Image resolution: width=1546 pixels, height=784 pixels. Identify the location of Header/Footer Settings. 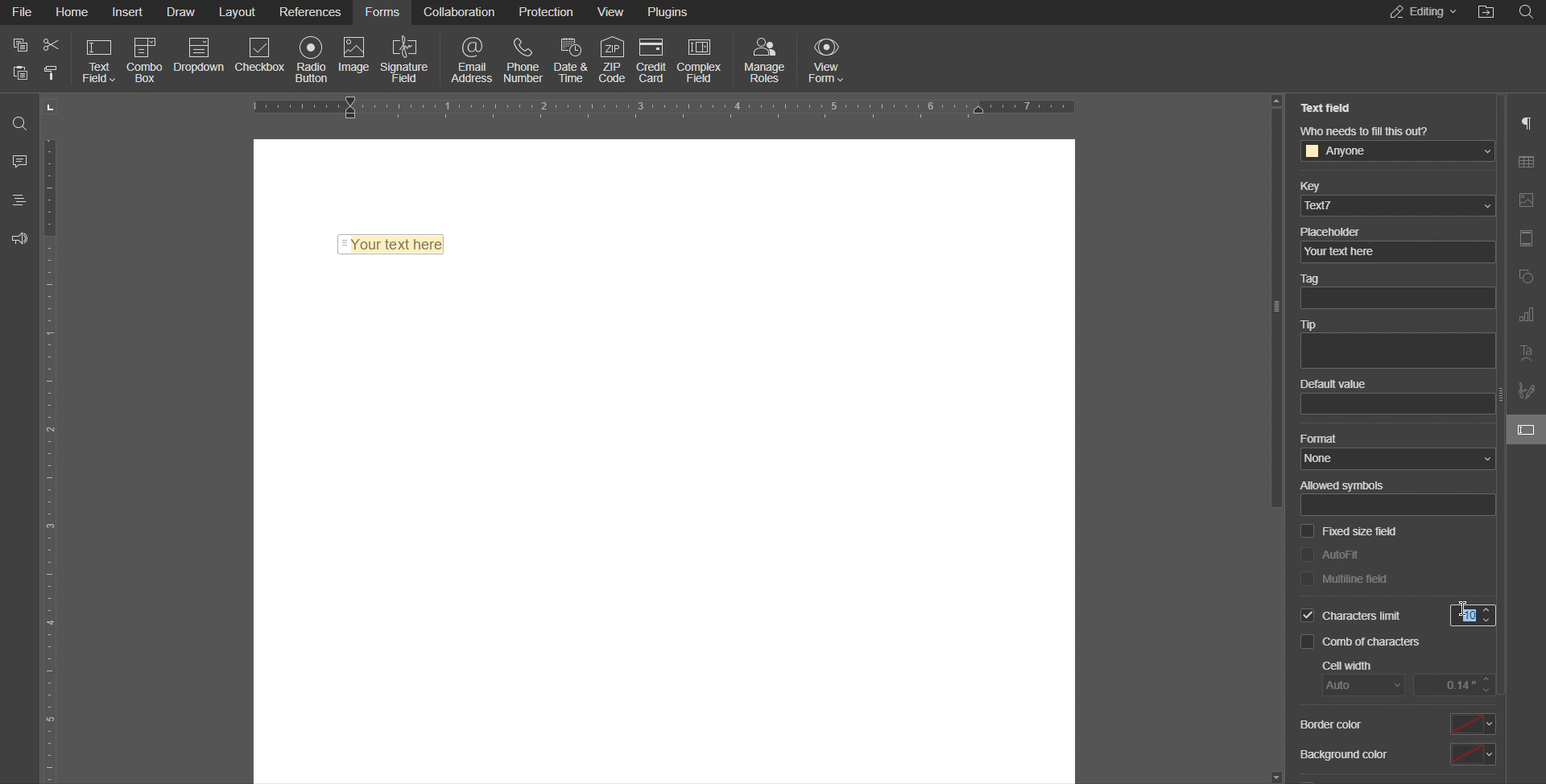
(1525, 239).